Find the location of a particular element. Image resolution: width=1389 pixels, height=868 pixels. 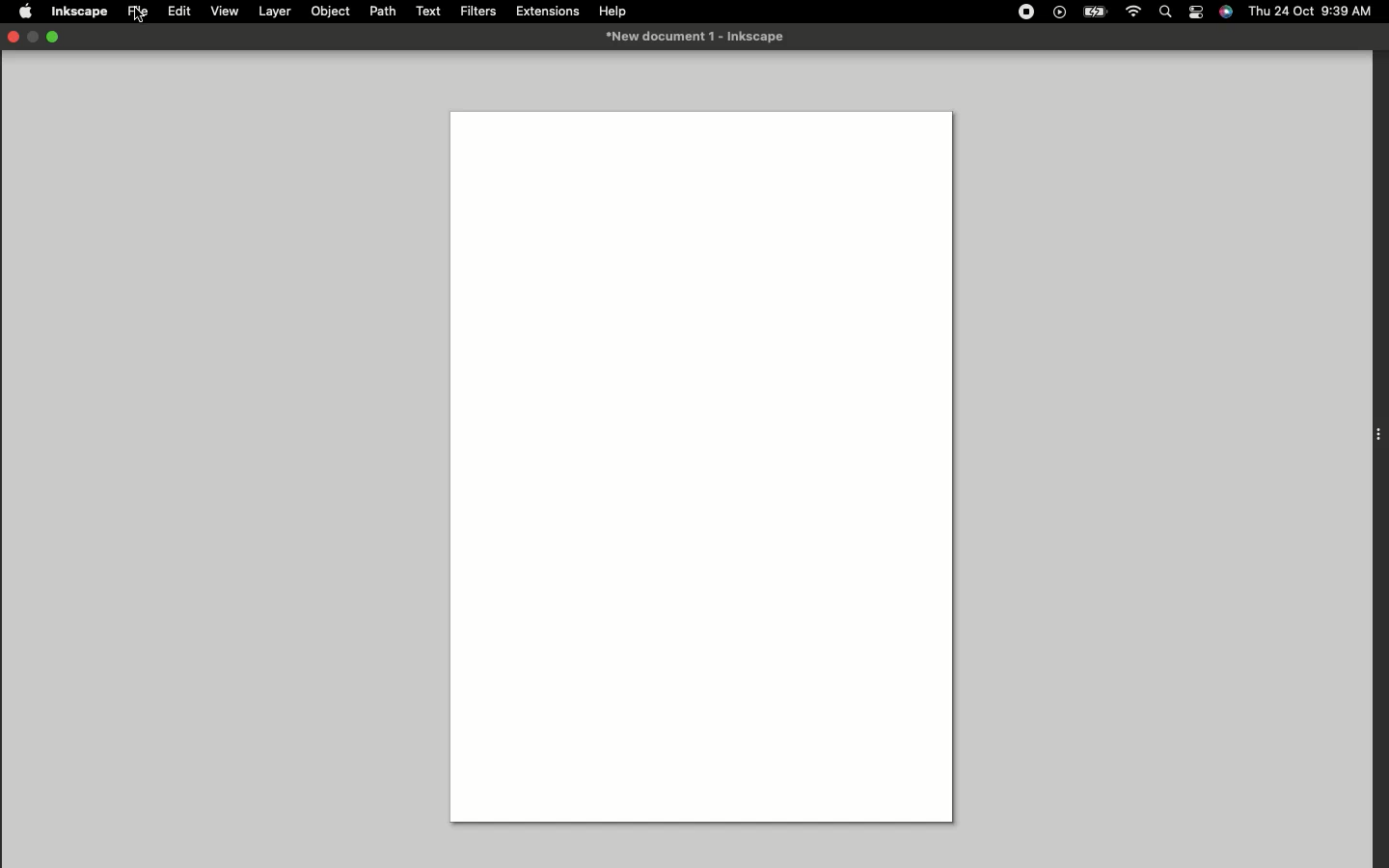

Expand is located at coordinates (55, 36).